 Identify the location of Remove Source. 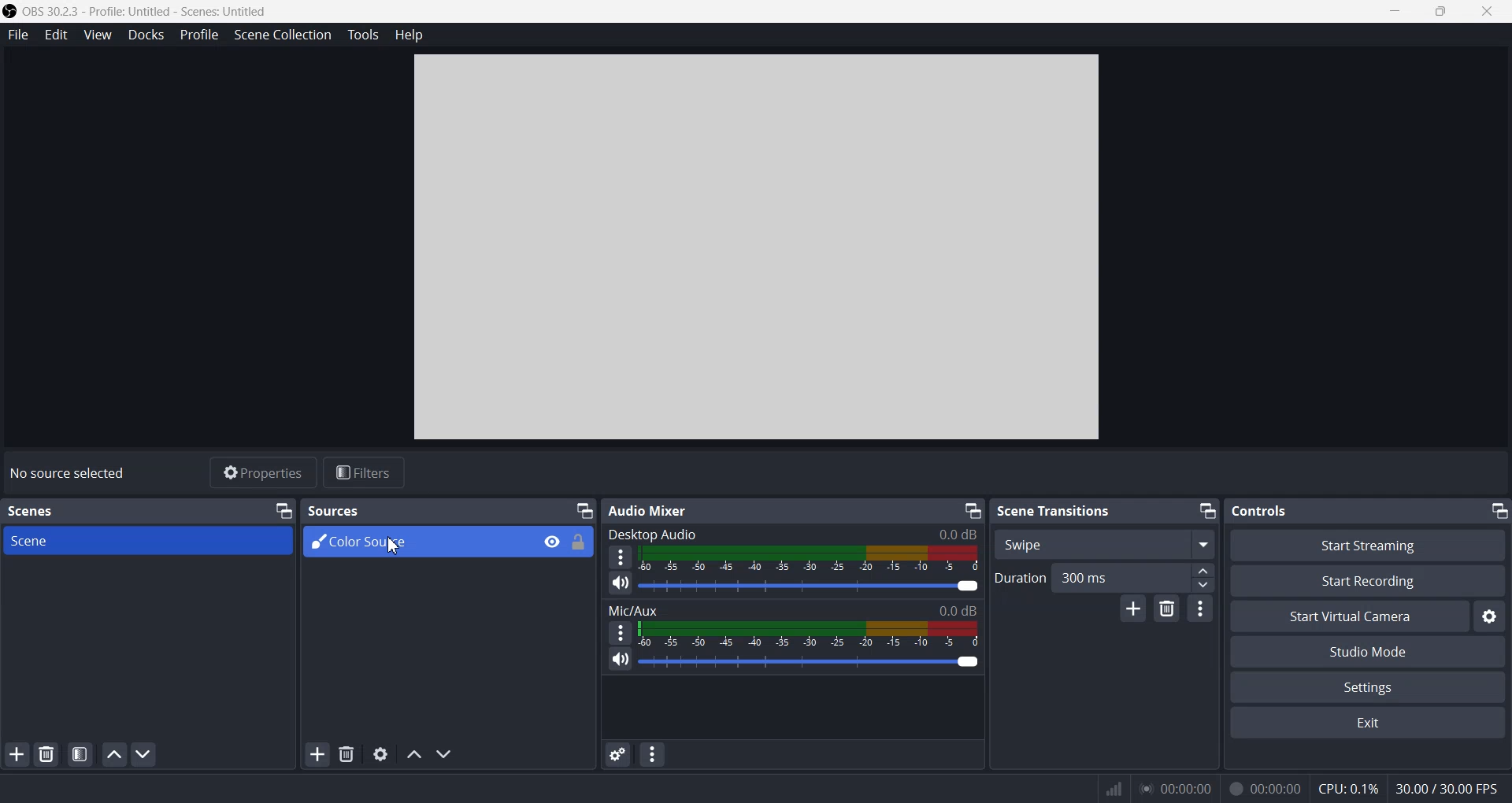
(346, 754).